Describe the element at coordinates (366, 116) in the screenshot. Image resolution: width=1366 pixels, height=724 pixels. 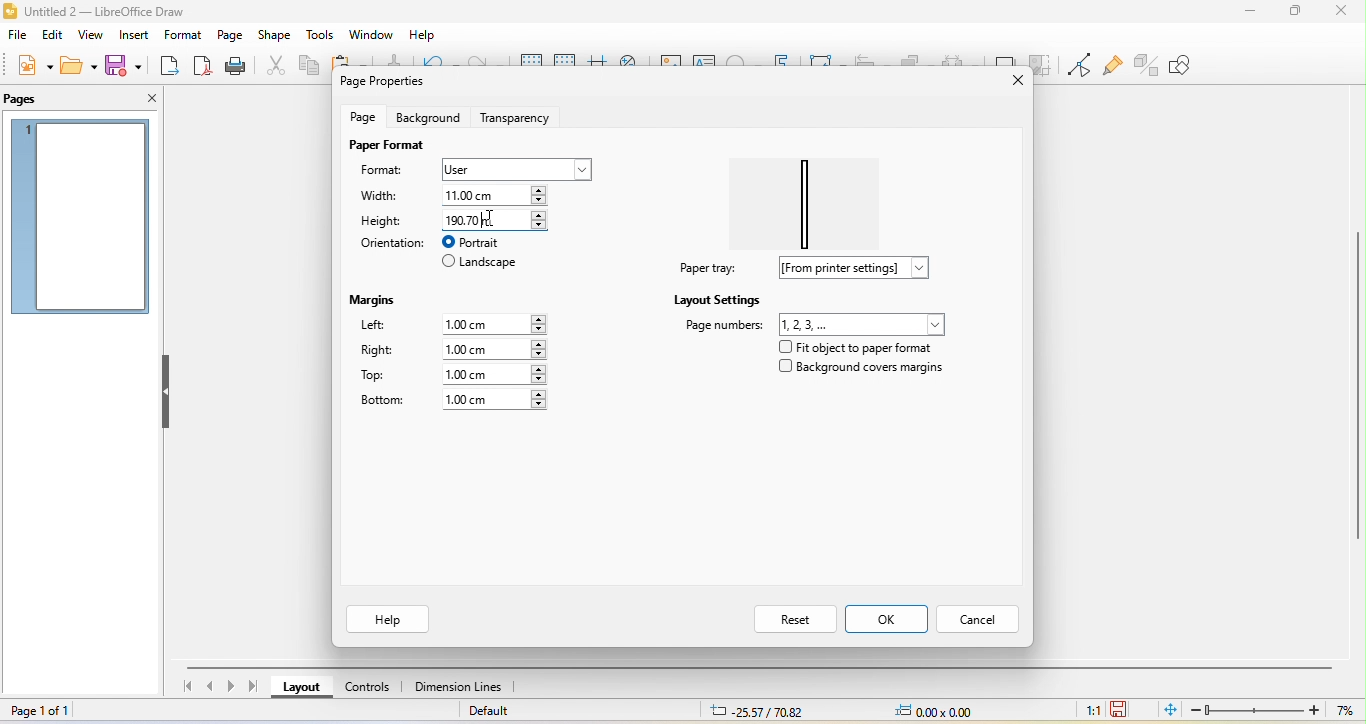
I see `page` at that location.